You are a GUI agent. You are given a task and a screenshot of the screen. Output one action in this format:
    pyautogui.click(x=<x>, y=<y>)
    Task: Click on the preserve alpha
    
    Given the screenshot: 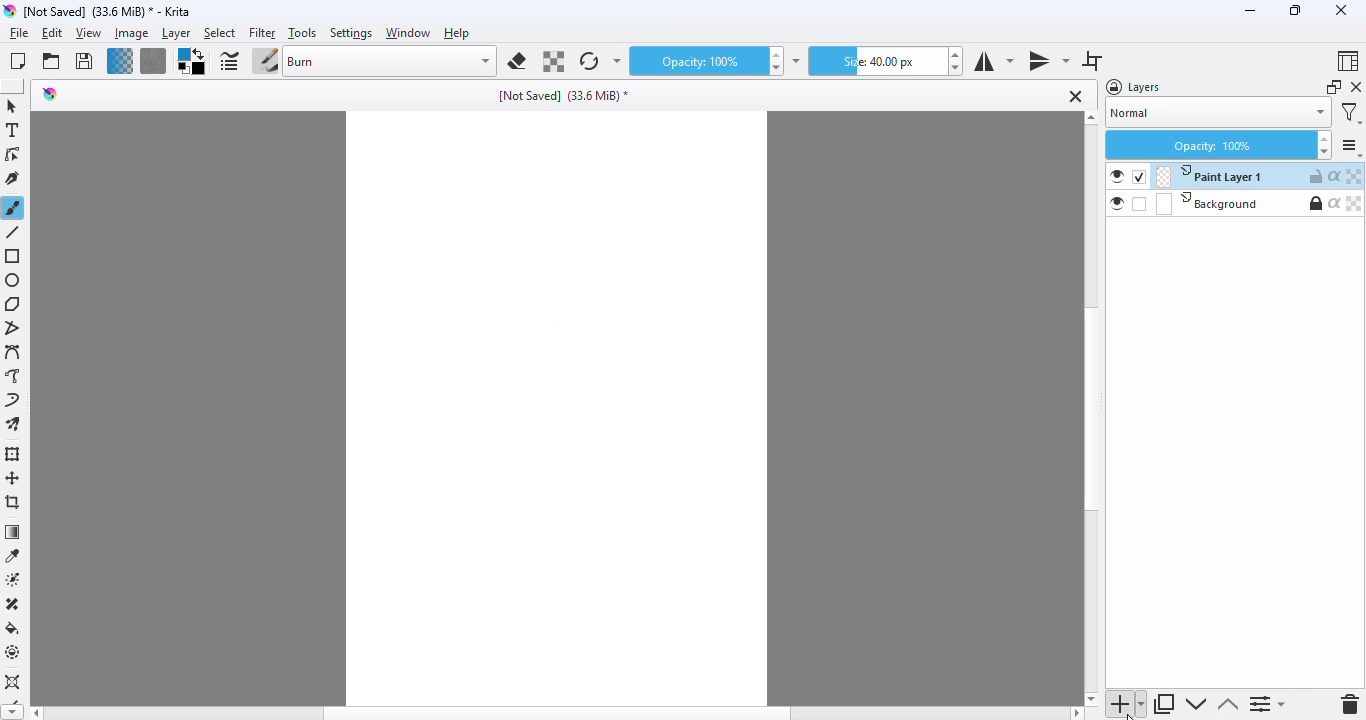 What is the action you would take?
    pyautogui.click(x=554, y=62)
    